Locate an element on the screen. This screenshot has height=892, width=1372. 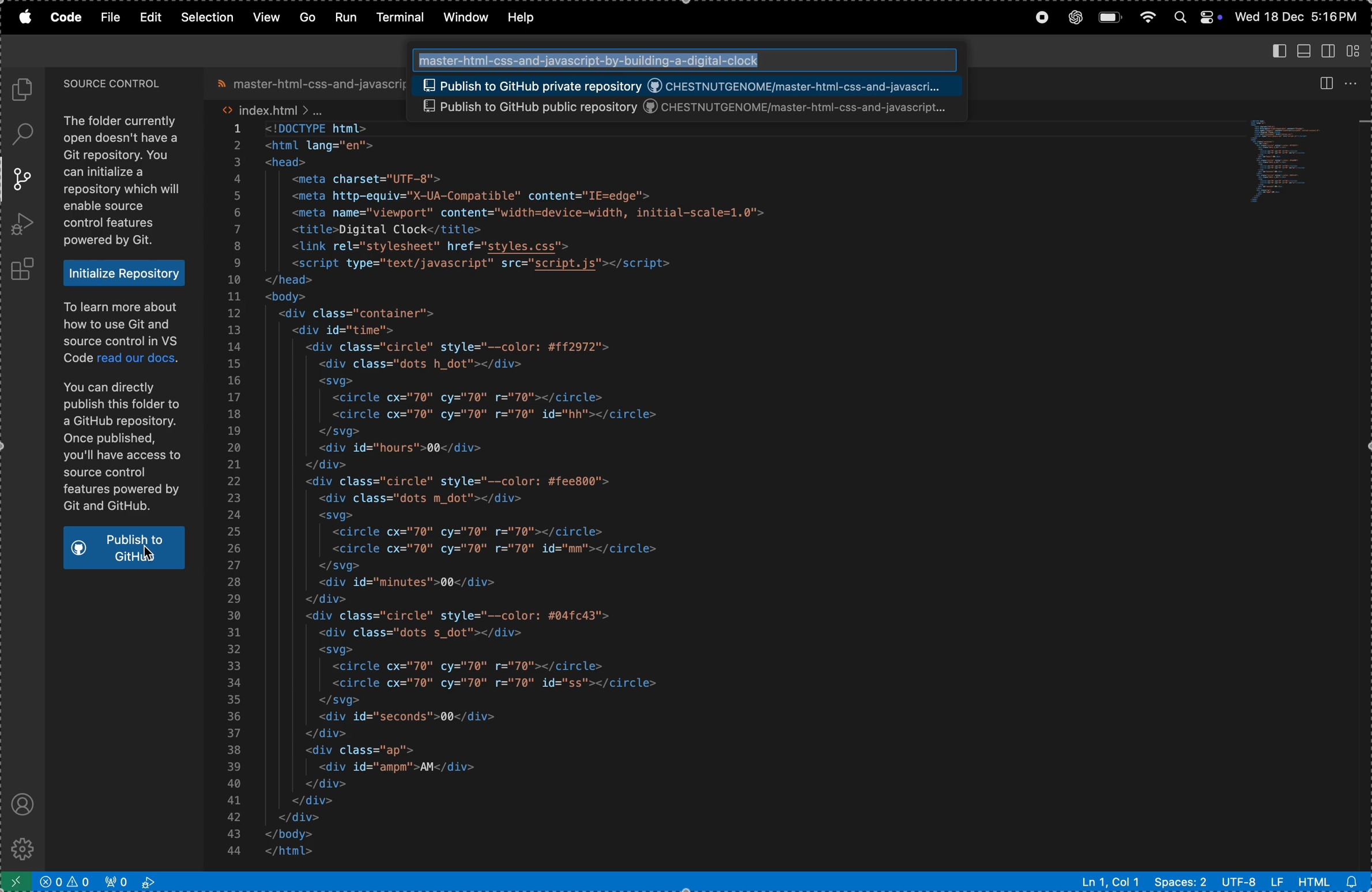
profile is located at coordinates (20, 802).